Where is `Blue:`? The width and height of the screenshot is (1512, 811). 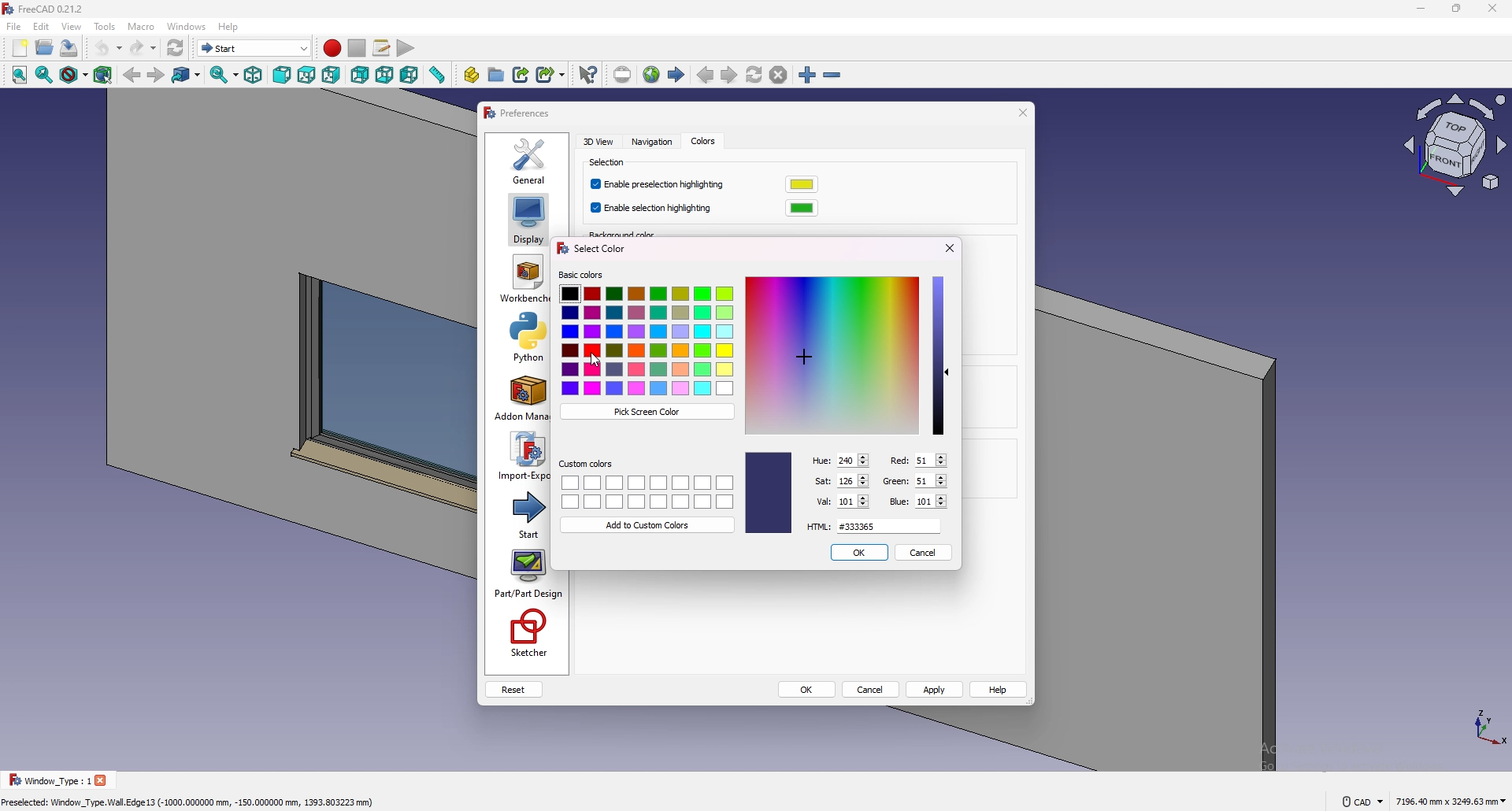 Blue: is located at coordinates (898, 502).